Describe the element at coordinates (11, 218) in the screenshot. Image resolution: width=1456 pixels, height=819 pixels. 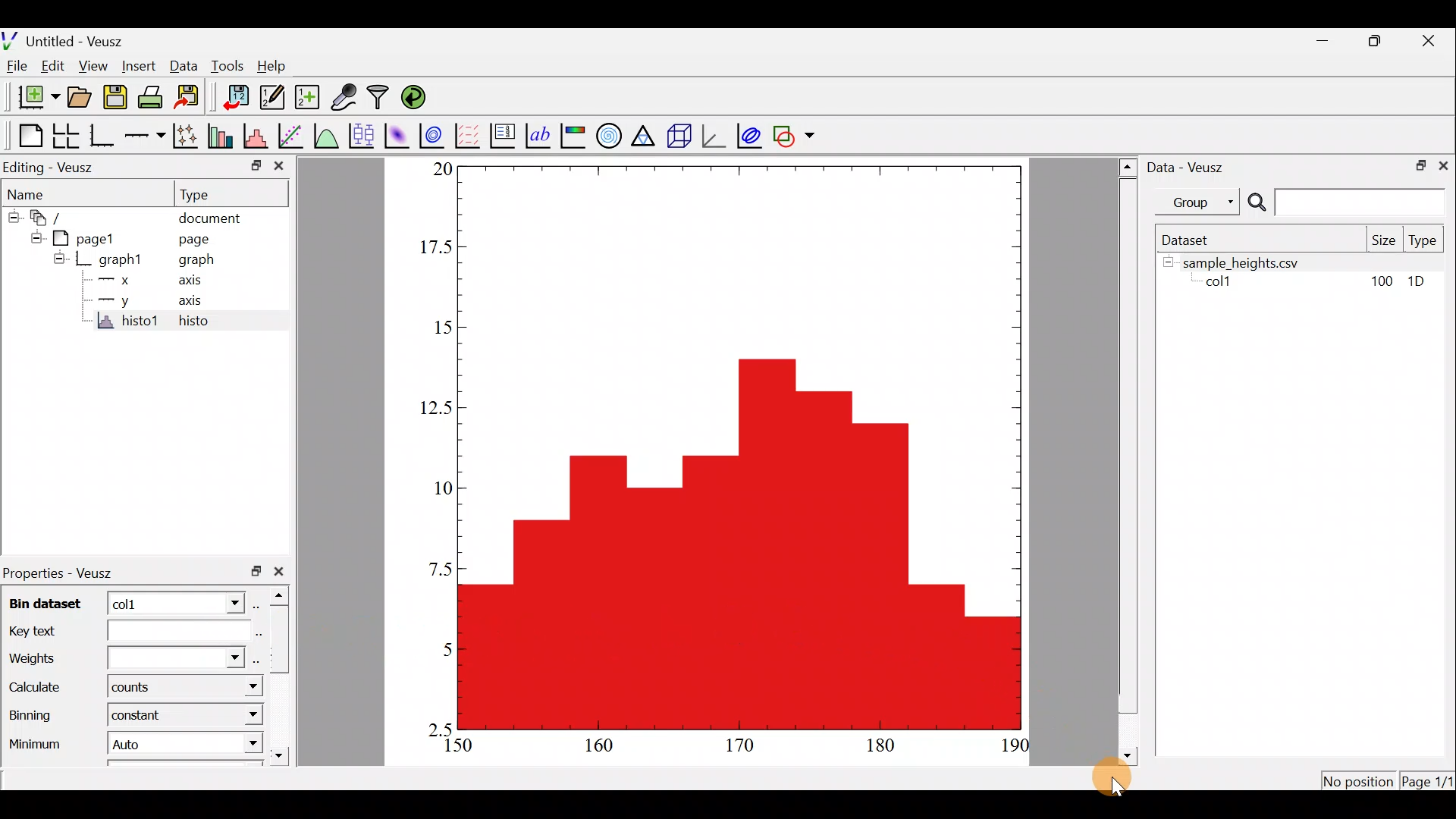
I see `hide` at that location.